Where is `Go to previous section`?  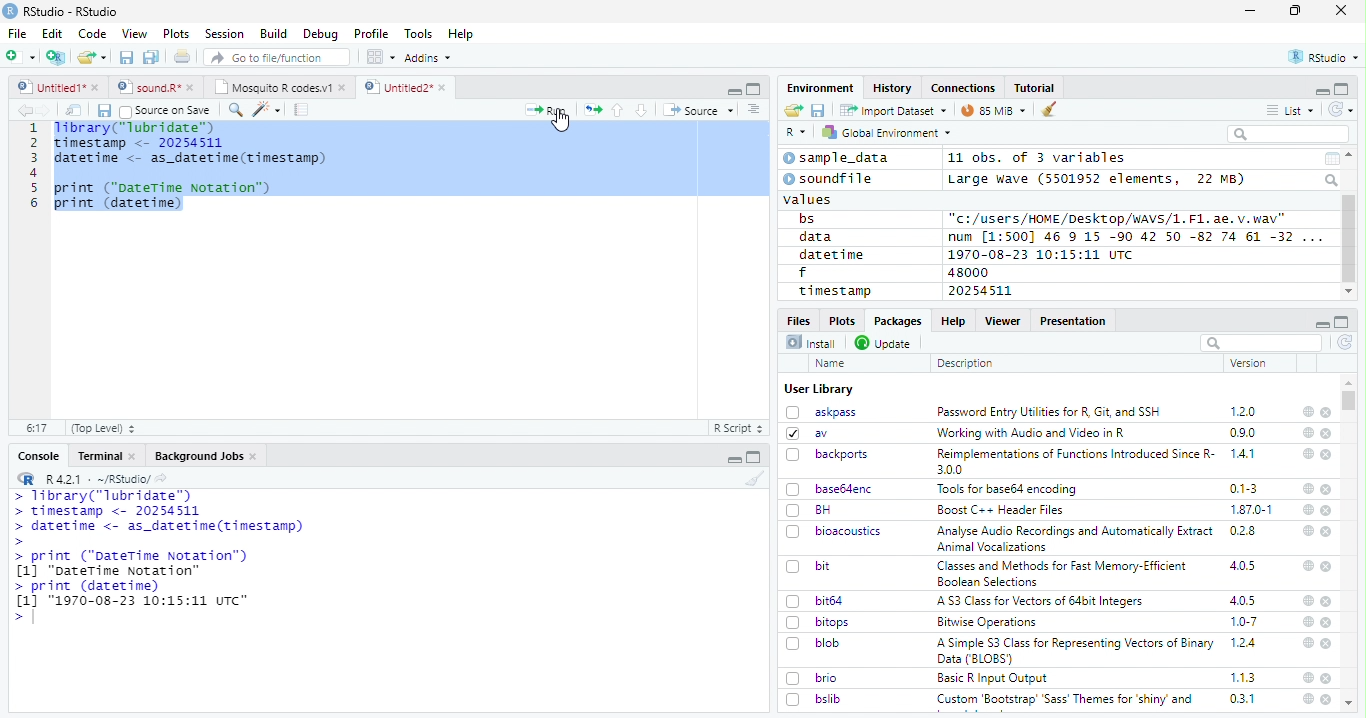 Go to previous section is located at coordinates (619, 110).